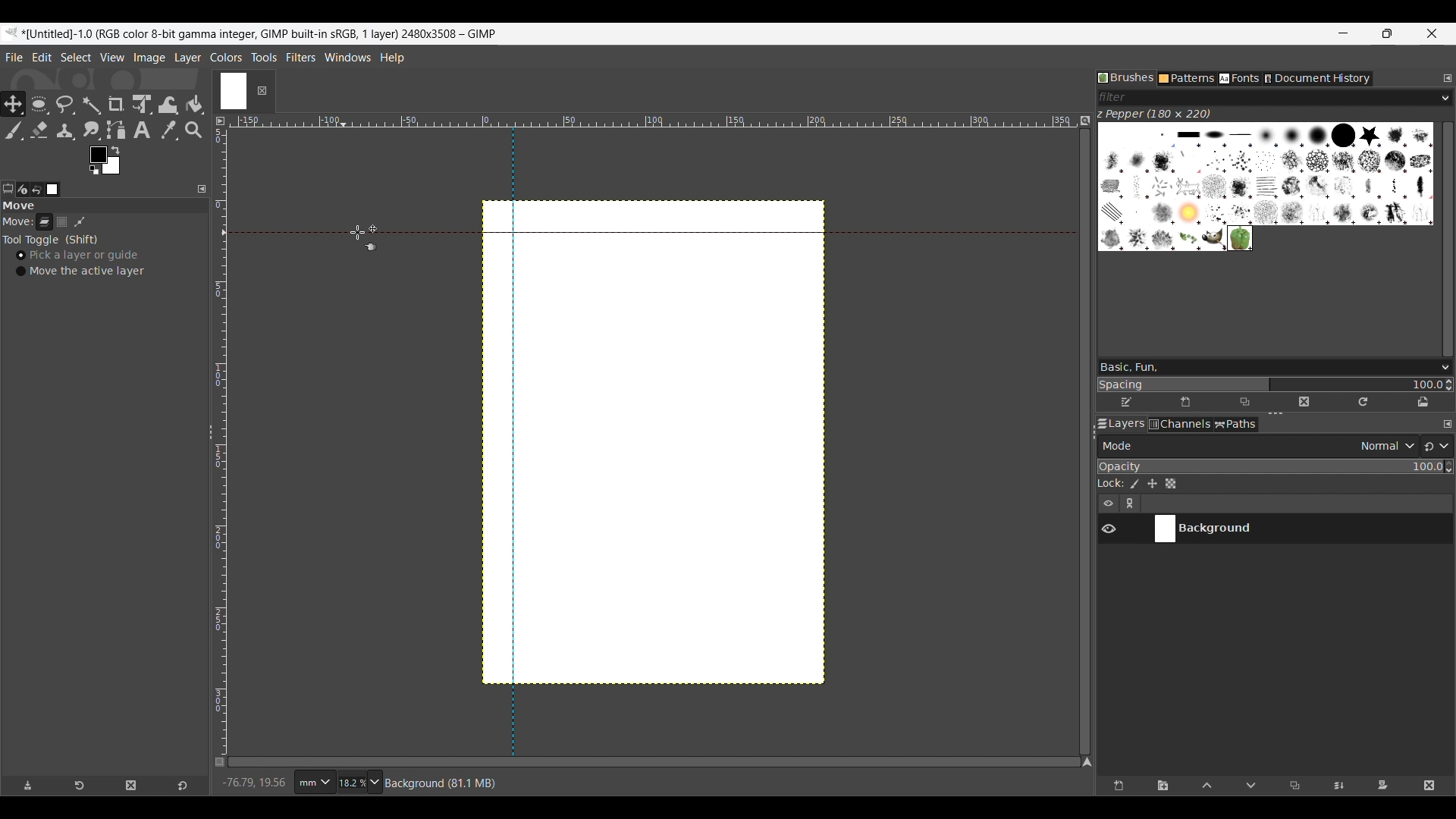  I want to click on Access the image menu, so click(220, 121).